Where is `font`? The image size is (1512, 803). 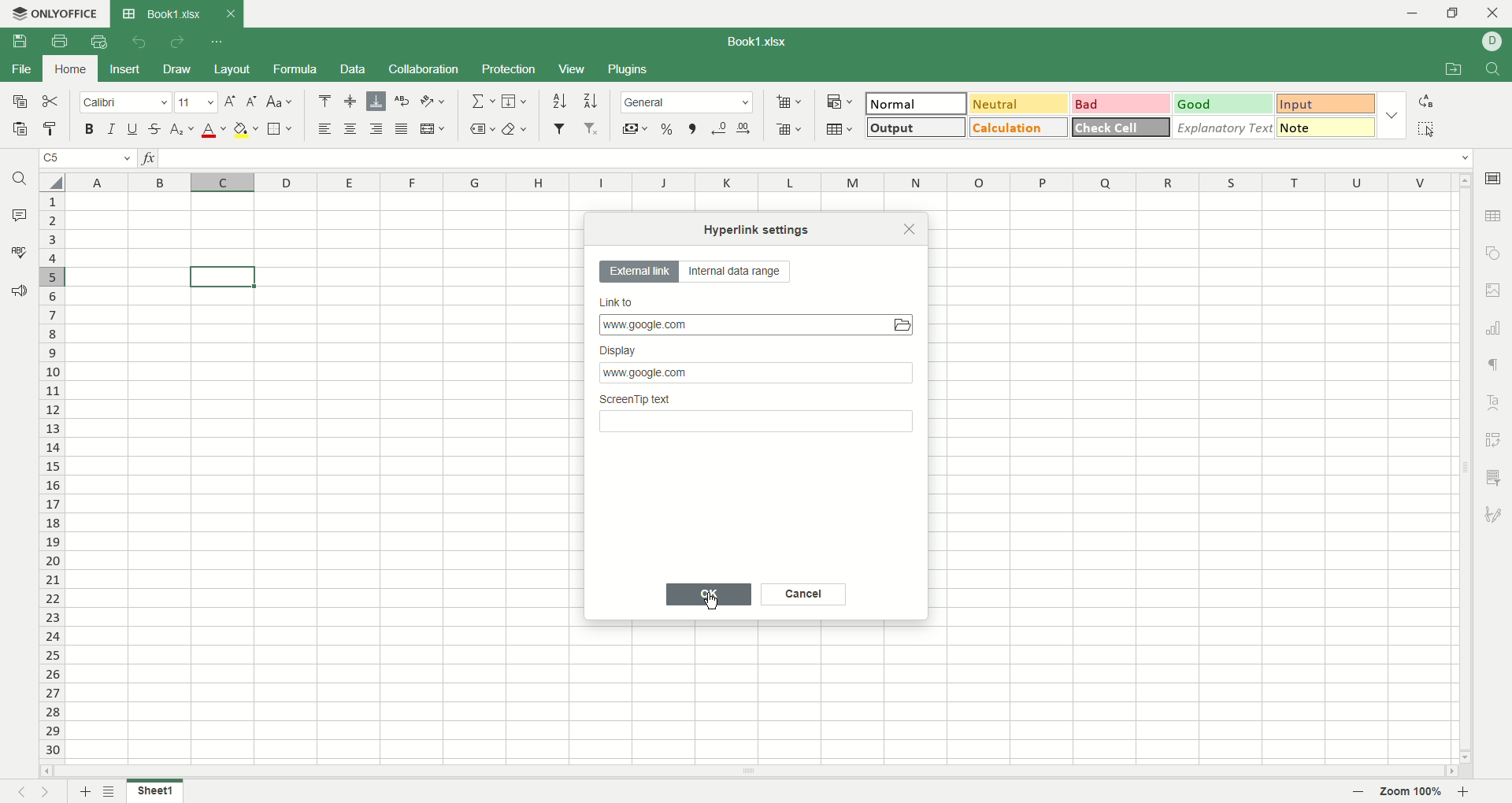
font is located at coordinates (125, 104).